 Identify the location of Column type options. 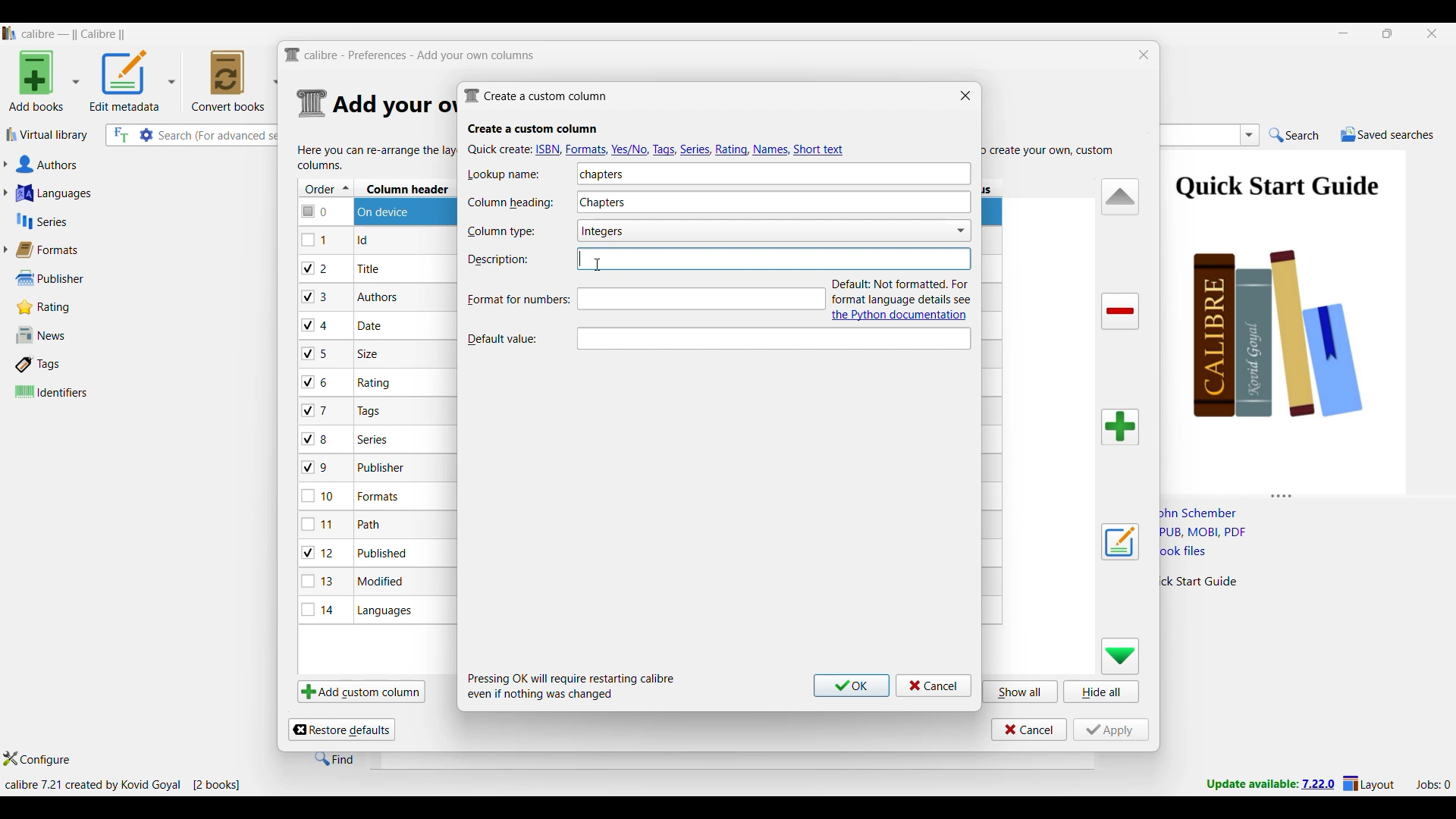
(717, 232).